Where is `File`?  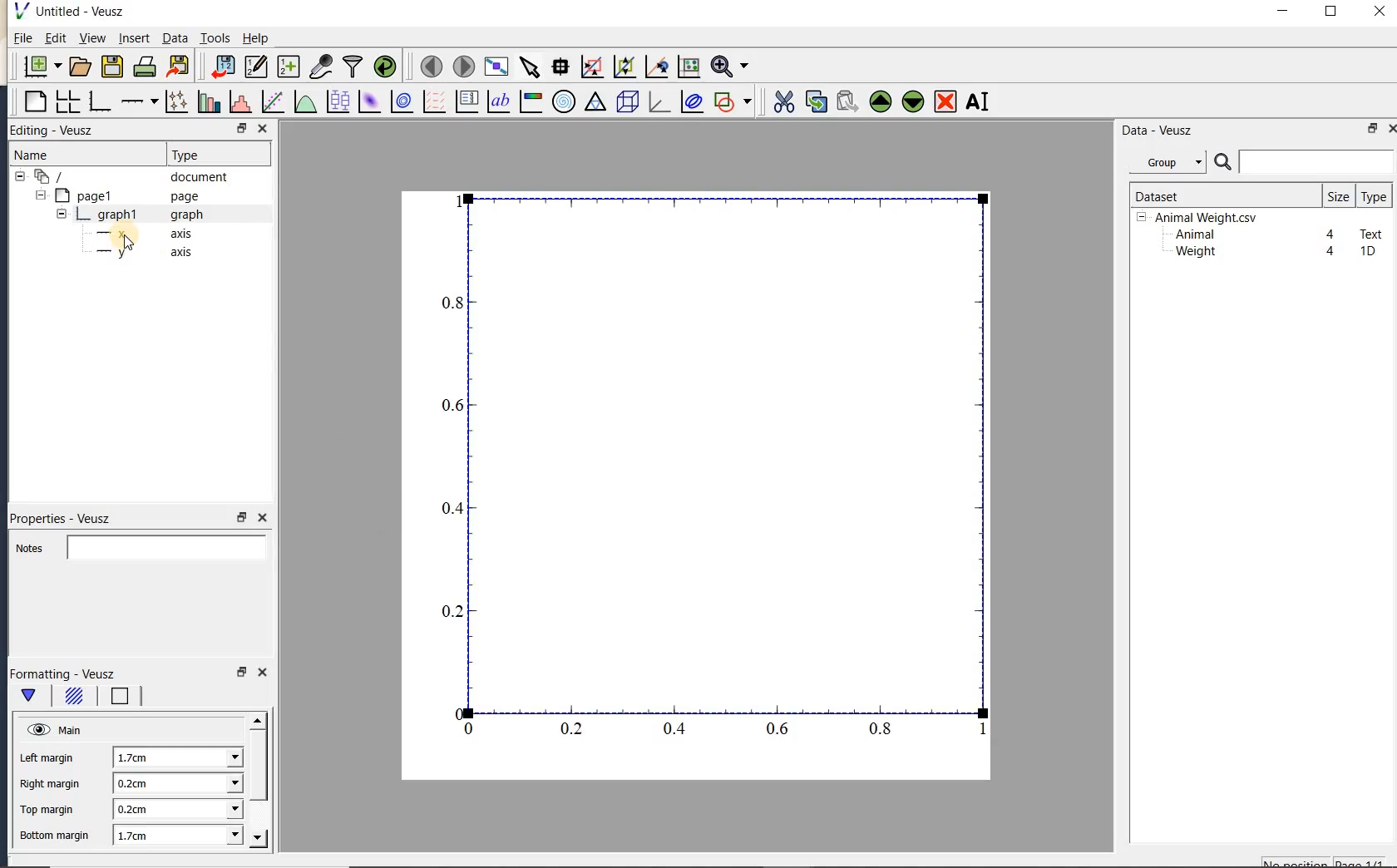
File is located at coordinates (23, 38).